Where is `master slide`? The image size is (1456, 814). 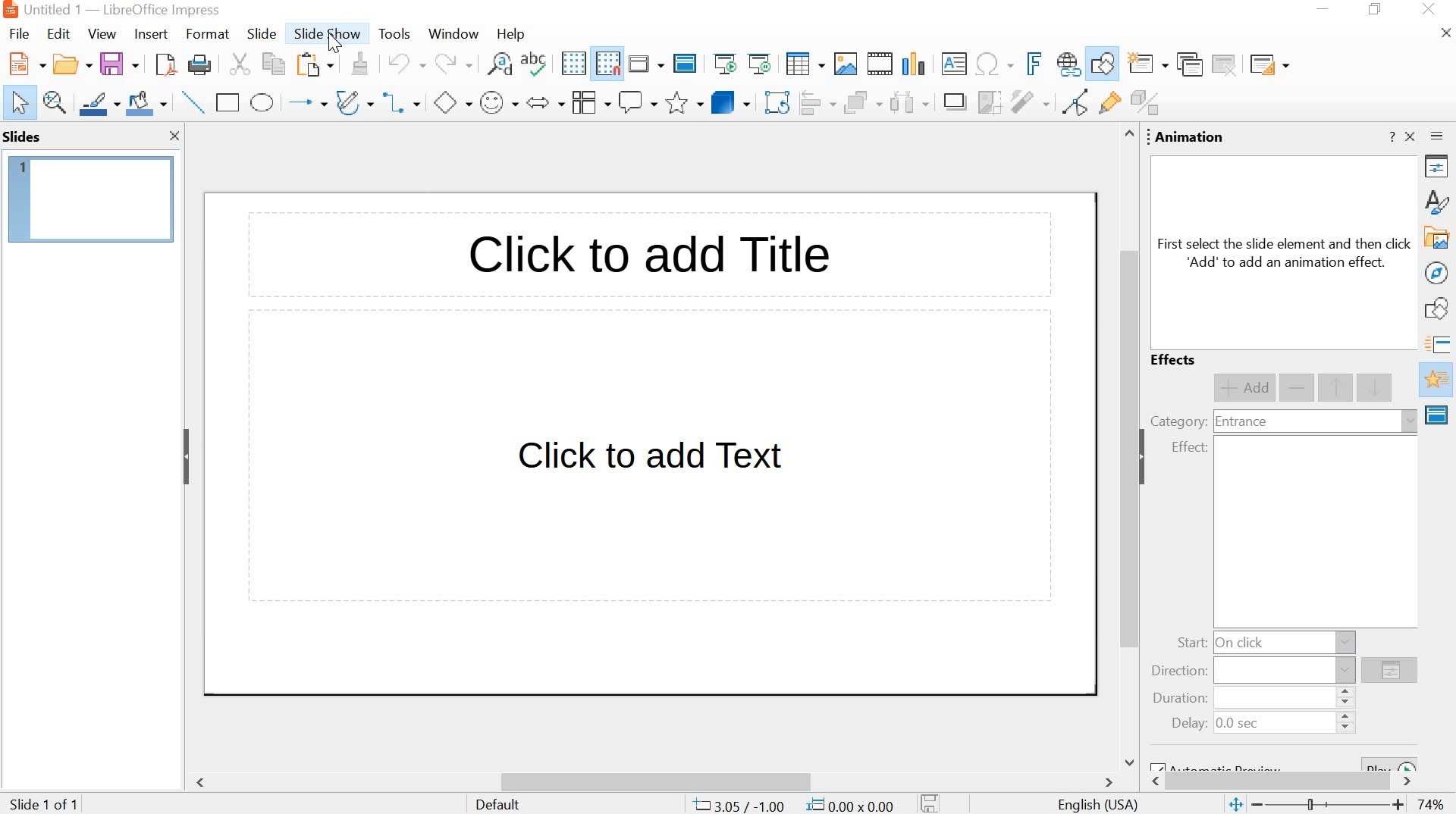 master slide is located at coordinates (685, 64).